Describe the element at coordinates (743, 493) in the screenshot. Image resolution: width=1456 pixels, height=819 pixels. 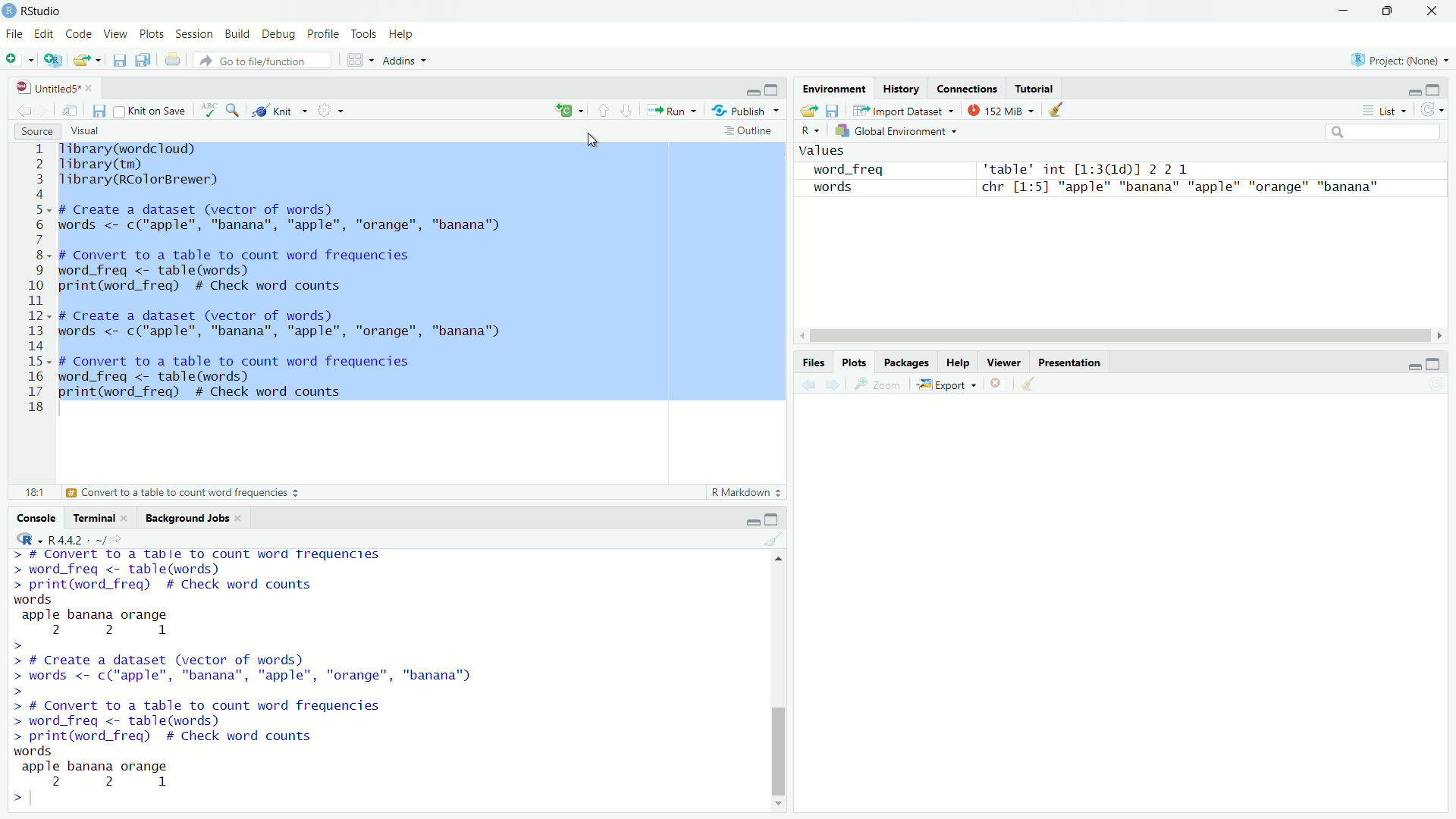
I see `Markdown` at that location.